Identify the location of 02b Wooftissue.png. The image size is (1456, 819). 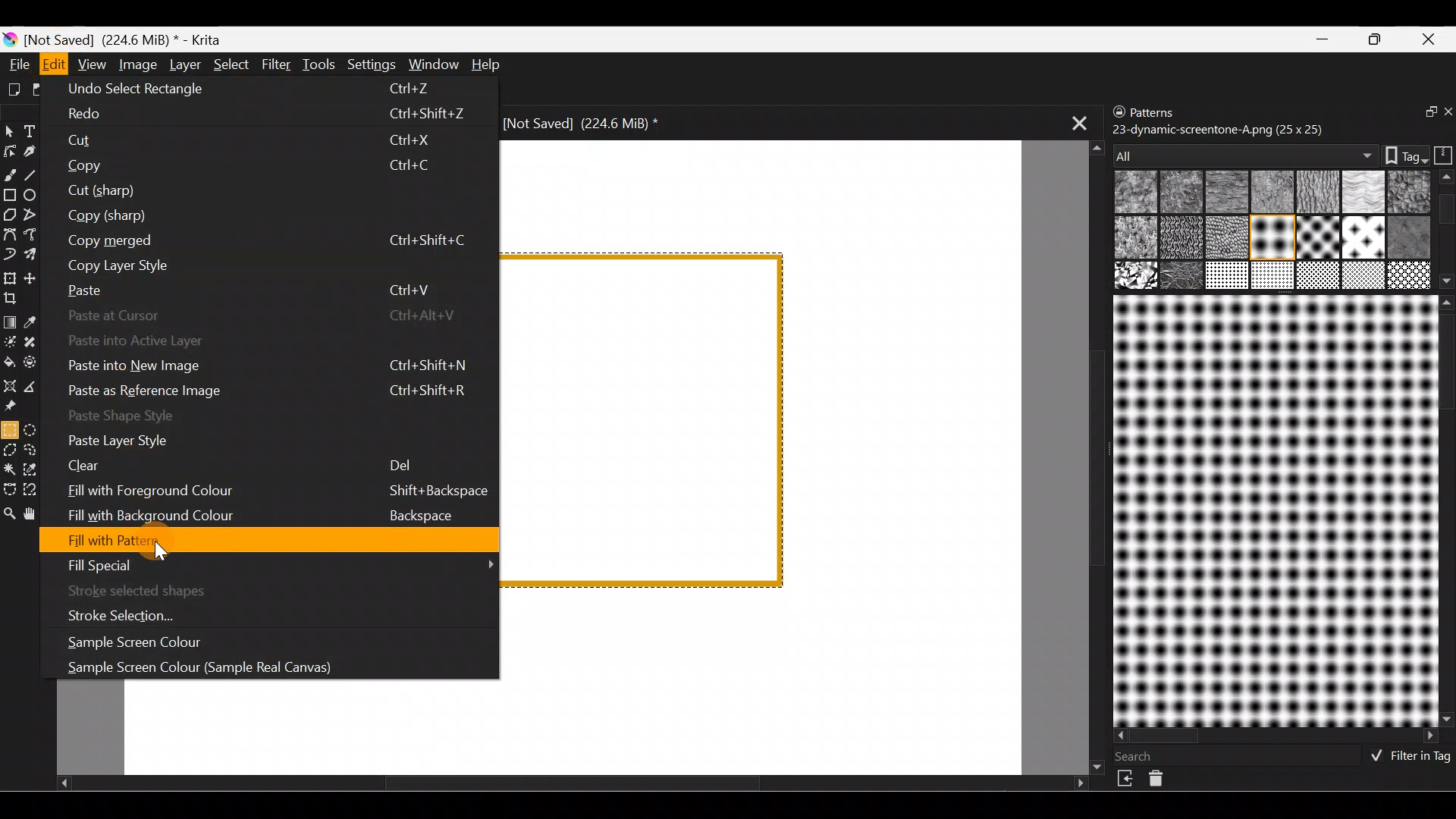
(1223, 193).